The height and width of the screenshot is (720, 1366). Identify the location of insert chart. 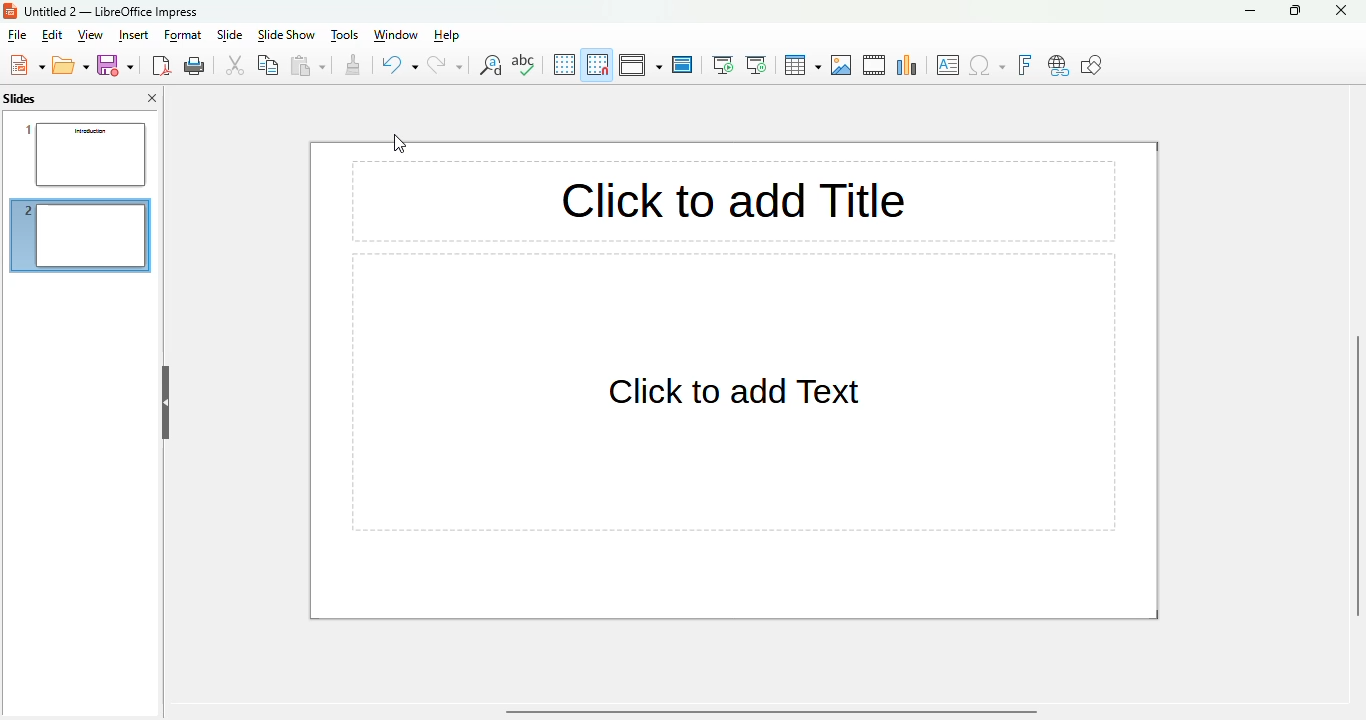
(908, 65).